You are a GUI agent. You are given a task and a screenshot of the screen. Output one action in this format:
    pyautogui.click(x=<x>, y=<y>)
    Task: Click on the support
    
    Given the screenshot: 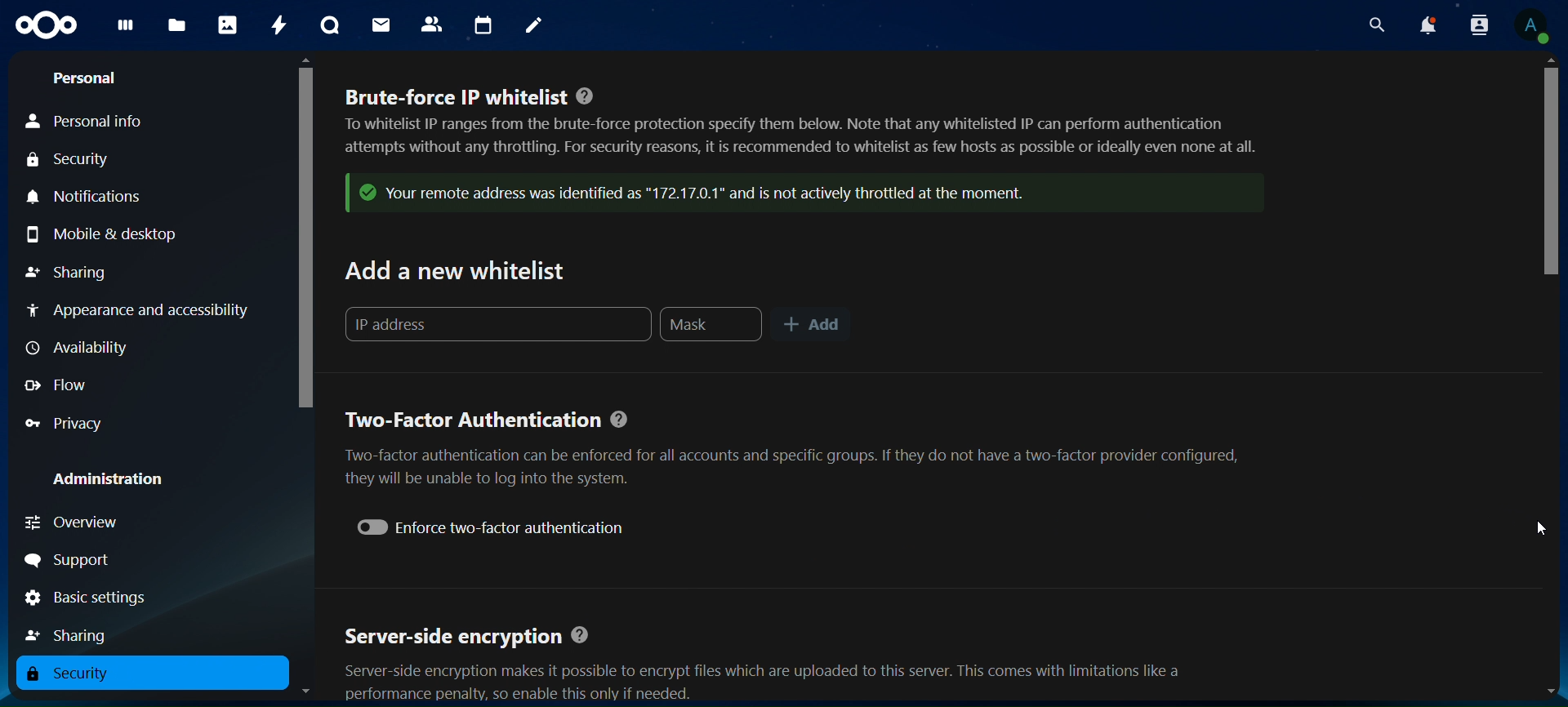 What is the action you would take?
    pyautogui.click(x=82, y=558)
    